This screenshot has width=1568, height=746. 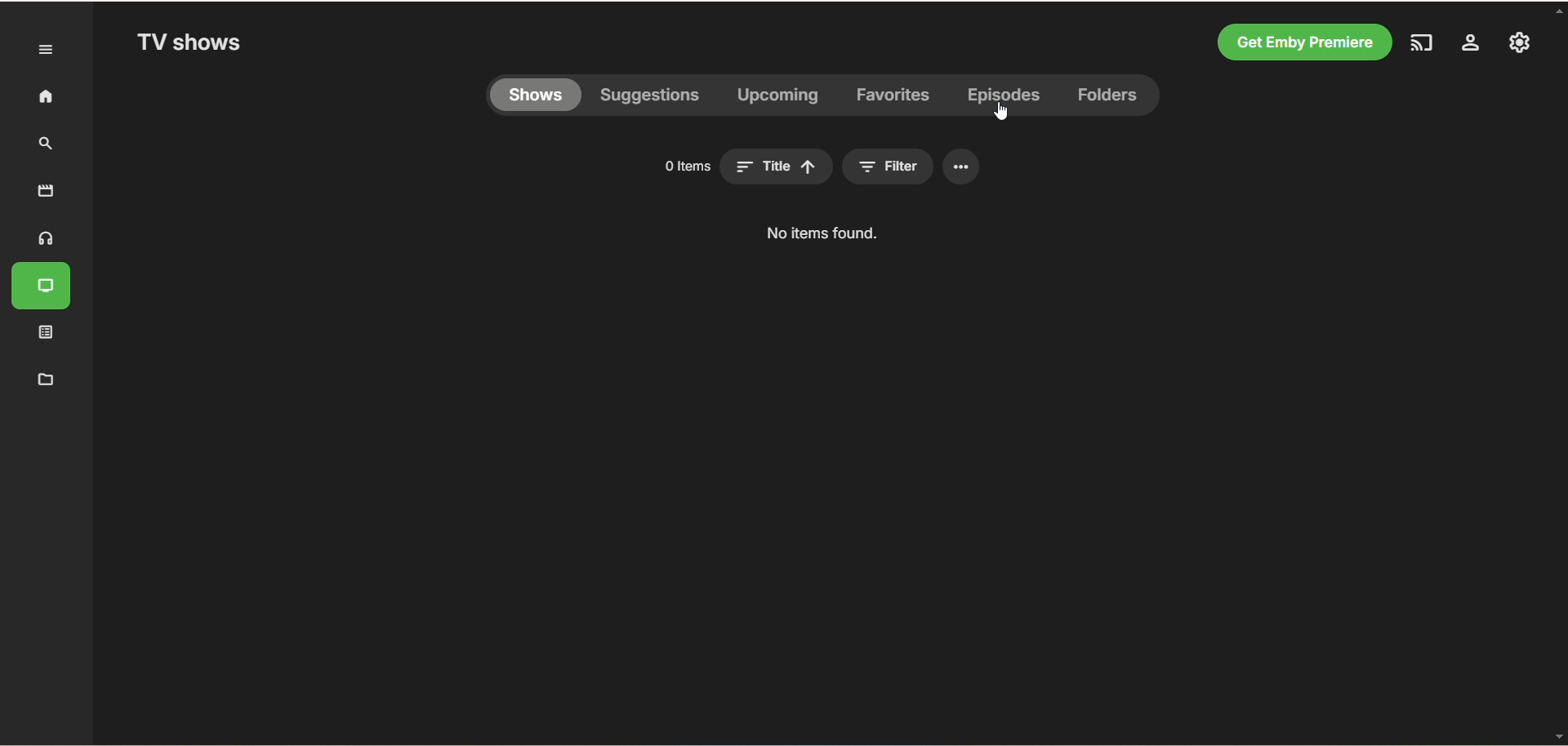 I want to click on shows, so click(x=535, y=97).